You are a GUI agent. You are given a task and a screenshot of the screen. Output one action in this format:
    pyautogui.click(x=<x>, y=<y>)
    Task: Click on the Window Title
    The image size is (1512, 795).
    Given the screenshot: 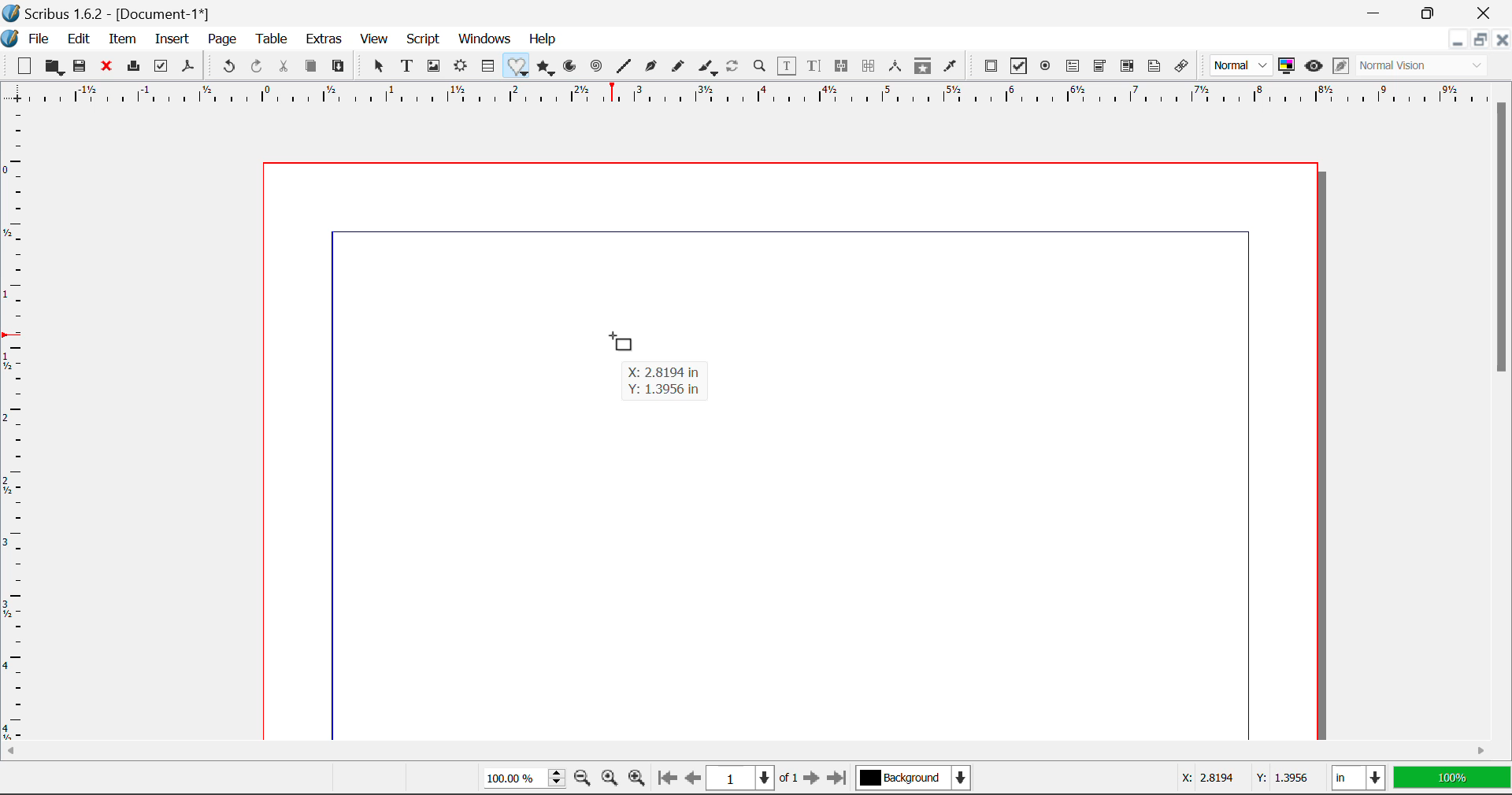 What is the action you would take?
    pyautogui.click(x=108, y=13)
    